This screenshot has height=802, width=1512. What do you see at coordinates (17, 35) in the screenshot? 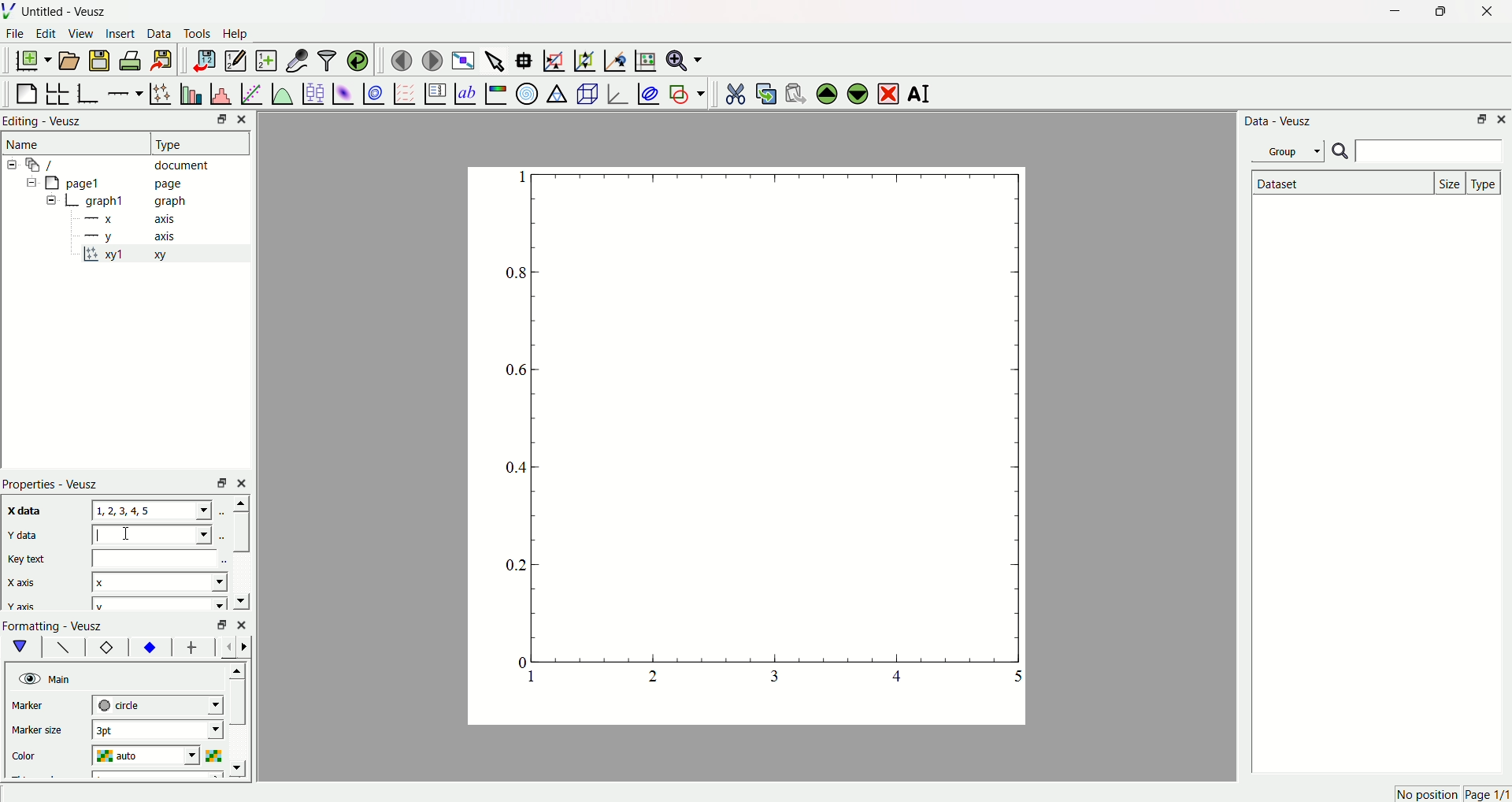
I see `File` at bounding box center [17, 35].